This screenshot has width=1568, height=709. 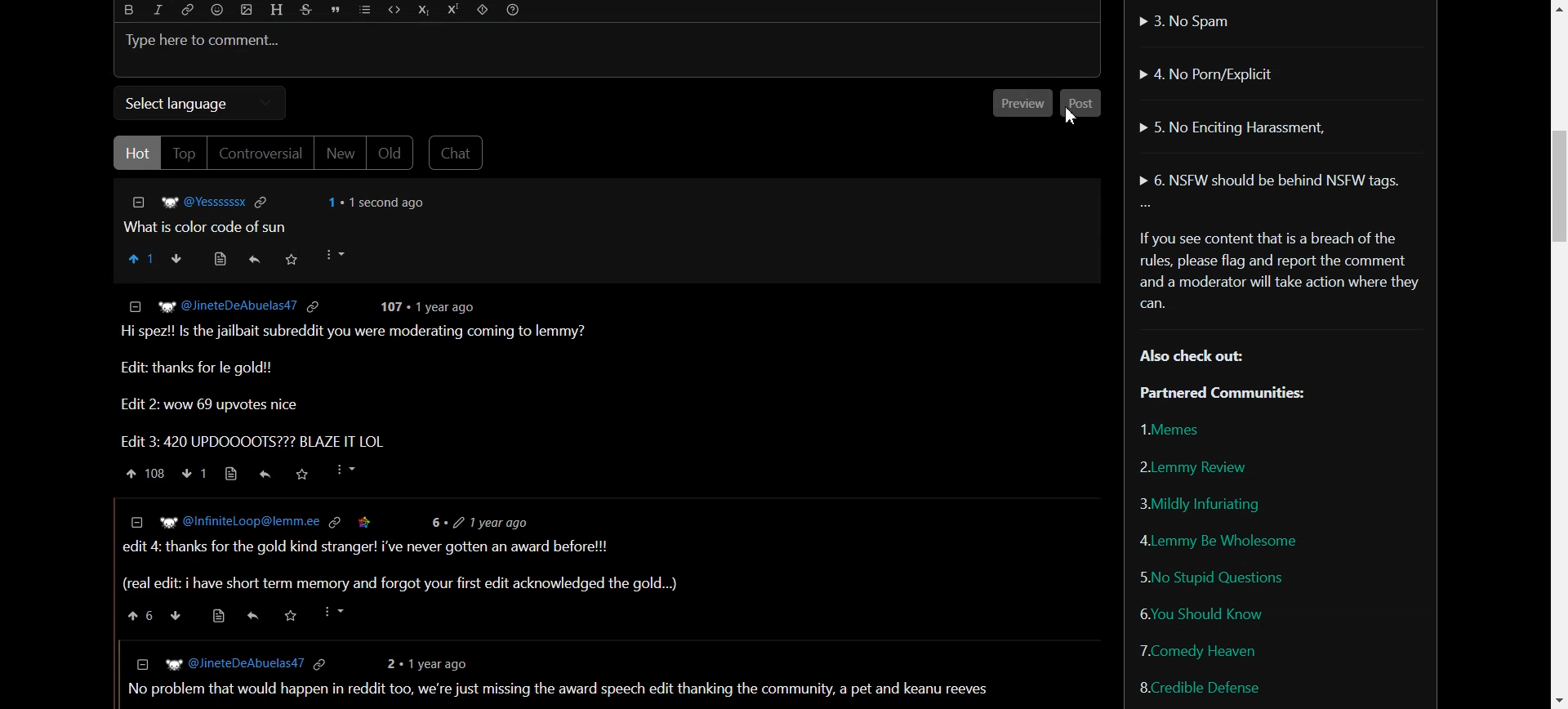 I want to click on No Spam, so click(x=1186, y=20).